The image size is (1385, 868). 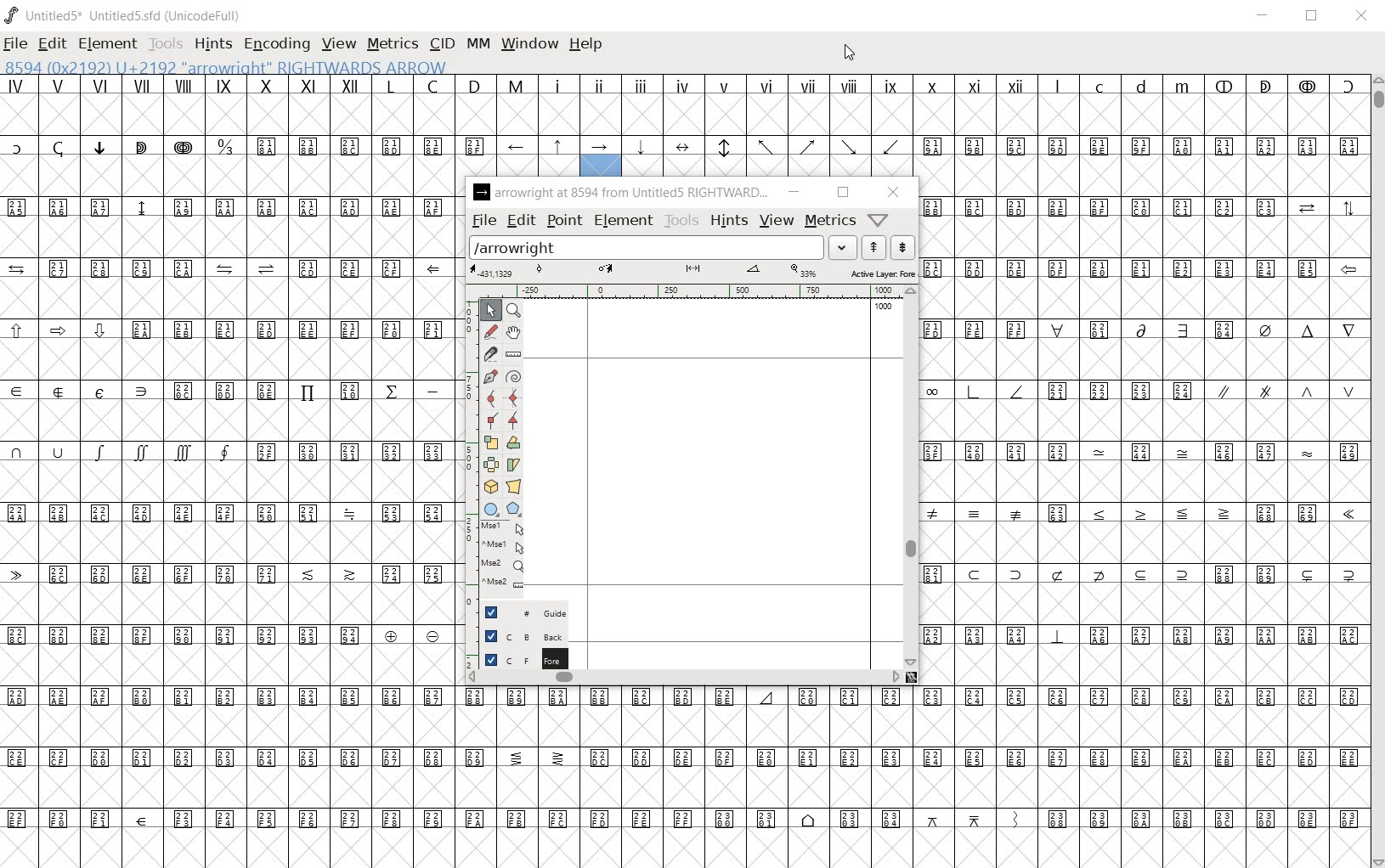 What do you see at coordinates (514, 509) in the screenshot?
I see `polygon or star` at bounding box center [514, 509].